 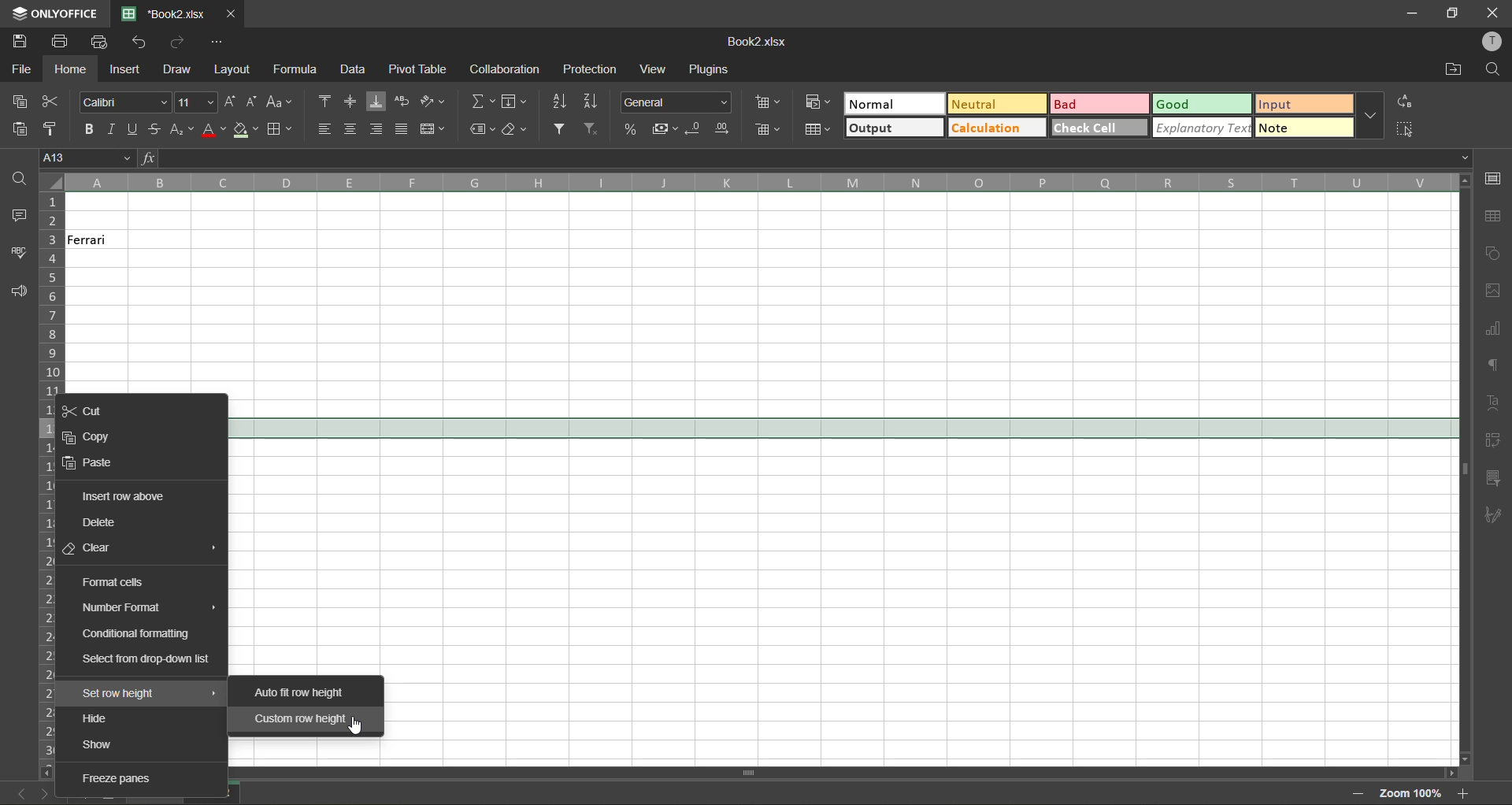 I want to click on scrollbar, so click(x=1464, y=469).